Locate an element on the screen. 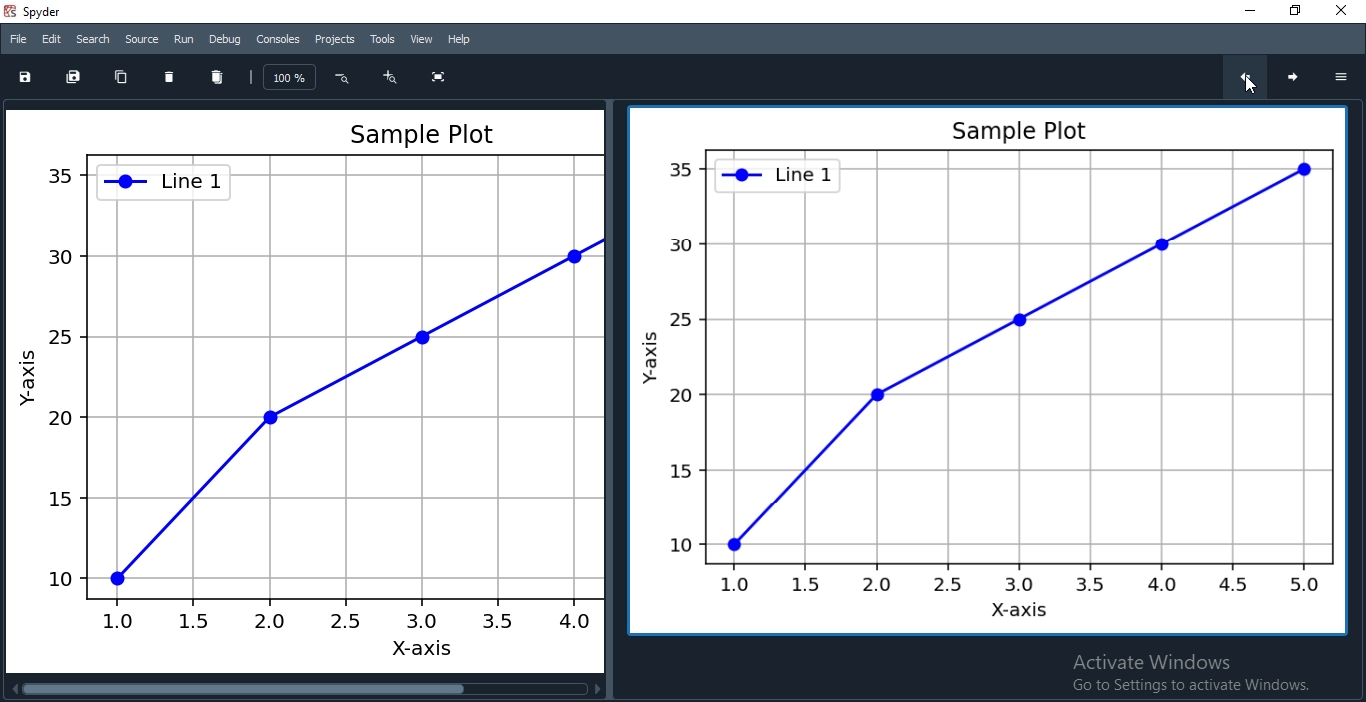  zoom in is located at coordinates (391, 77).